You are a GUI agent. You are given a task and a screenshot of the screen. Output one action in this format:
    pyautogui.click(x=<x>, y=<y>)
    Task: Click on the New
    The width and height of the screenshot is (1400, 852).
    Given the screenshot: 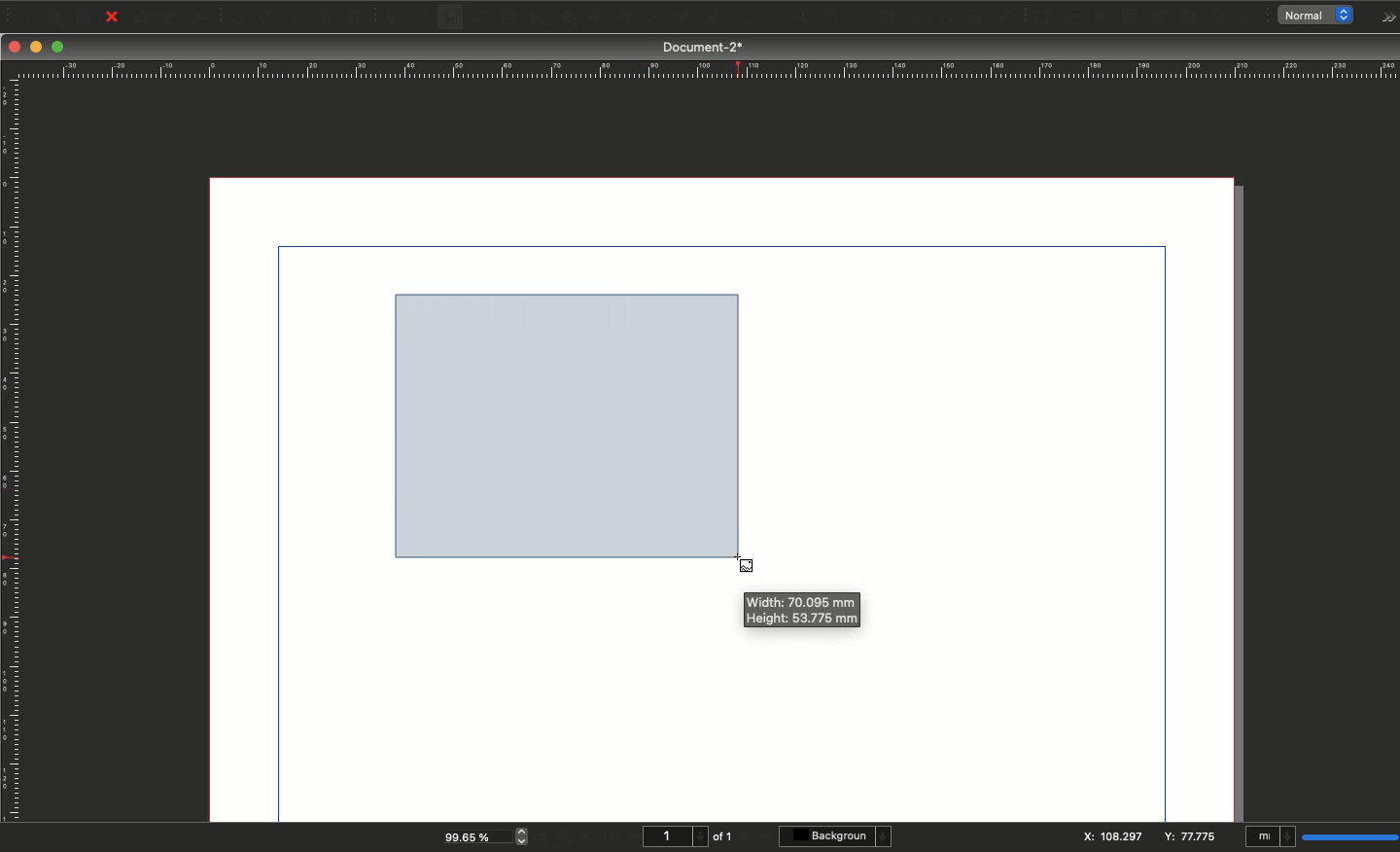 What is the action you would take?
    pyautogui.click(x=21, y=15)
    